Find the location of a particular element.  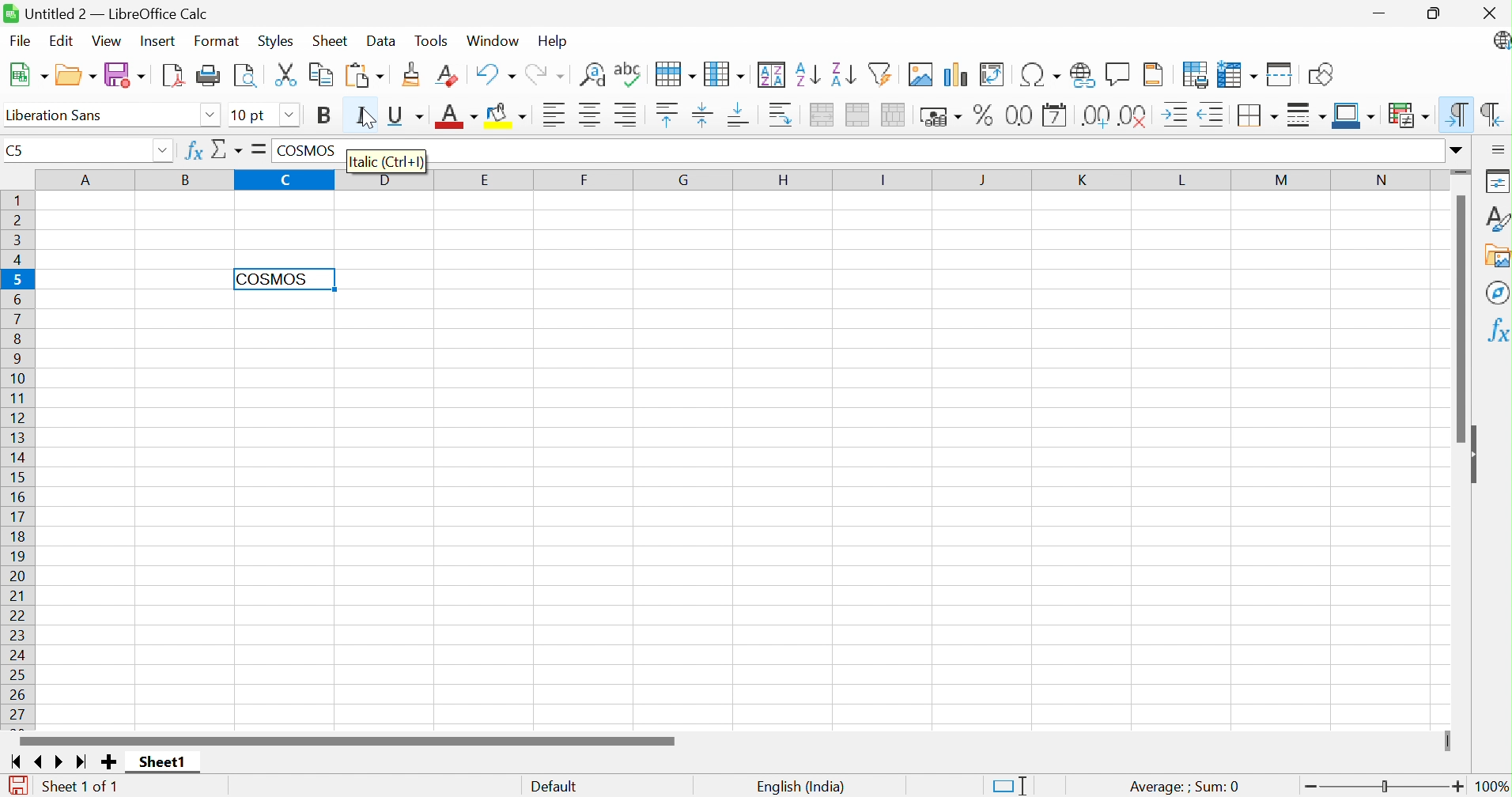

Open is located at coordinates (75, 73).